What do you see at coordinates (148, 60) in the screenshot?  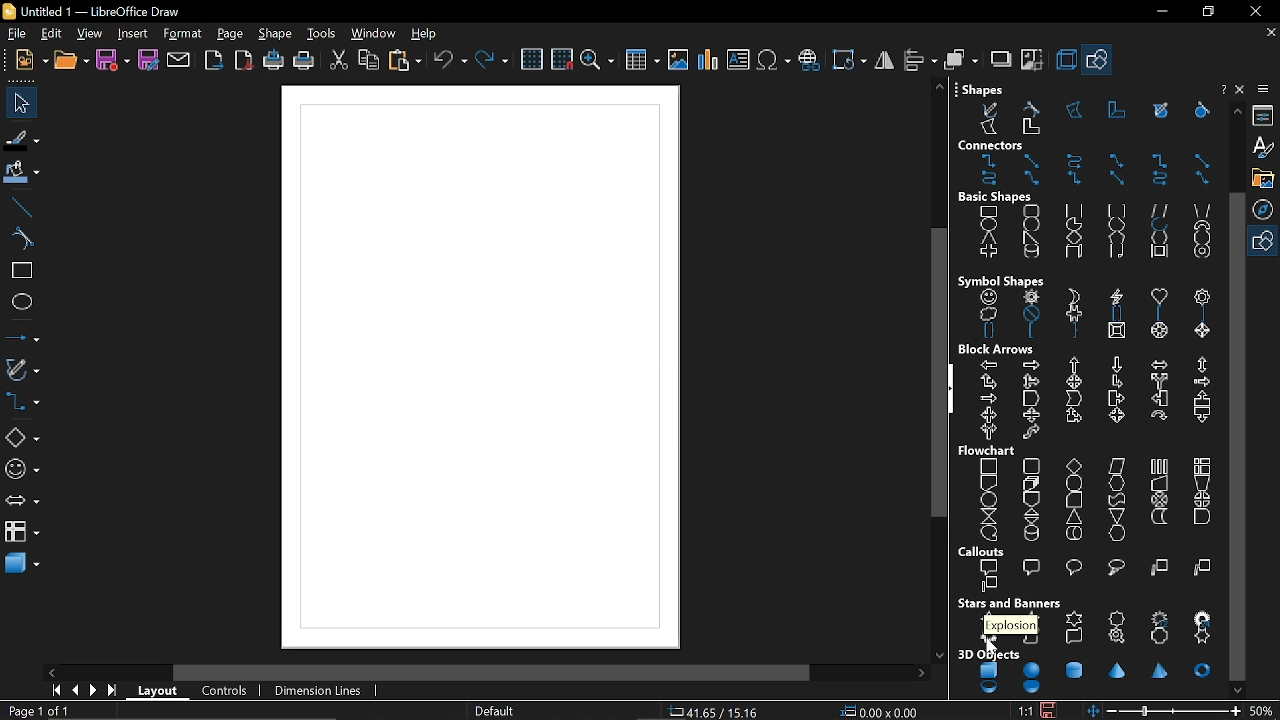 I see `save as` at bounding box center [148, 60].